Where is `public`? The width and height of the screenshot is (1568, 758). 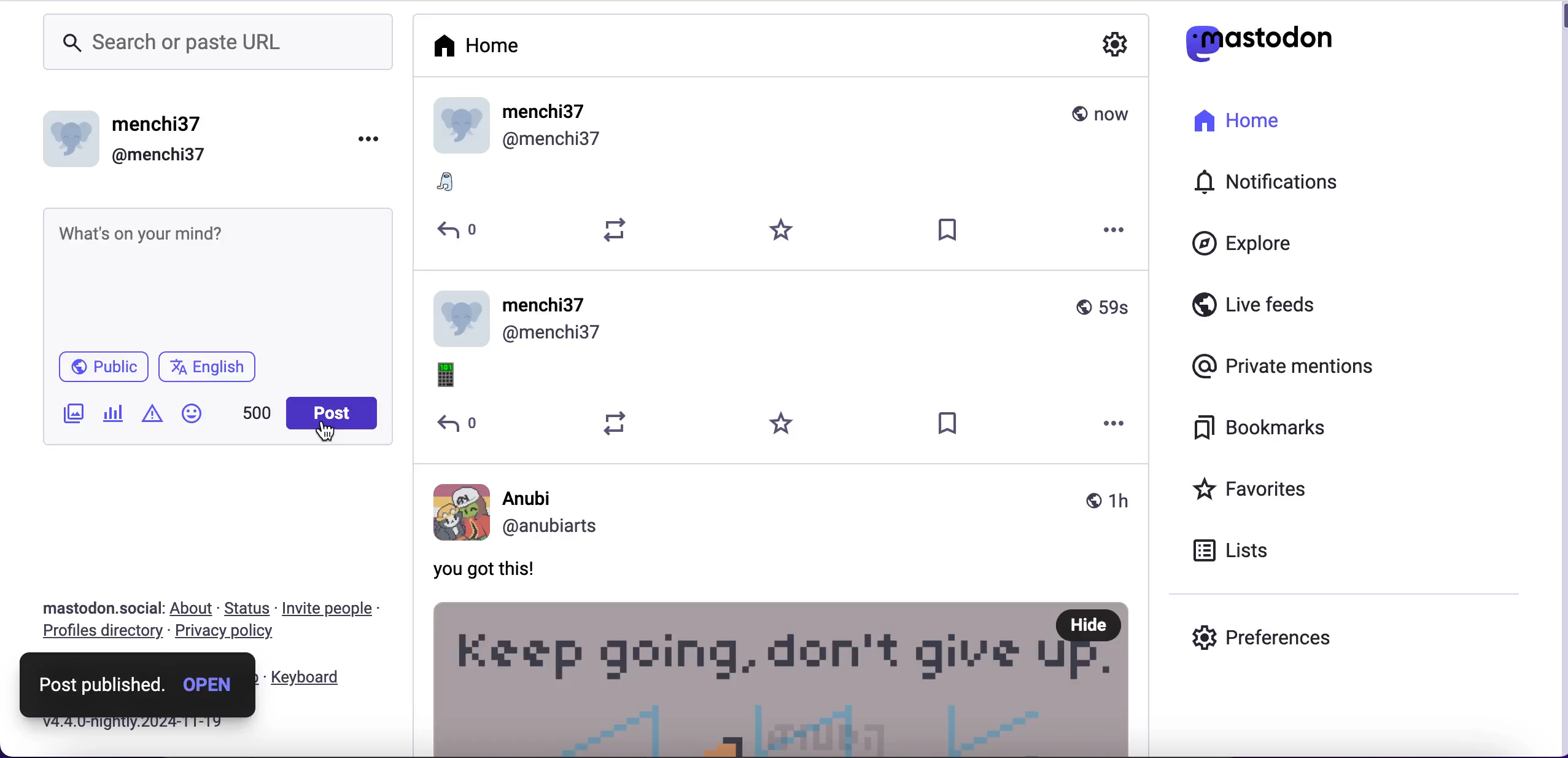 public is located at coordinates (105, 367).